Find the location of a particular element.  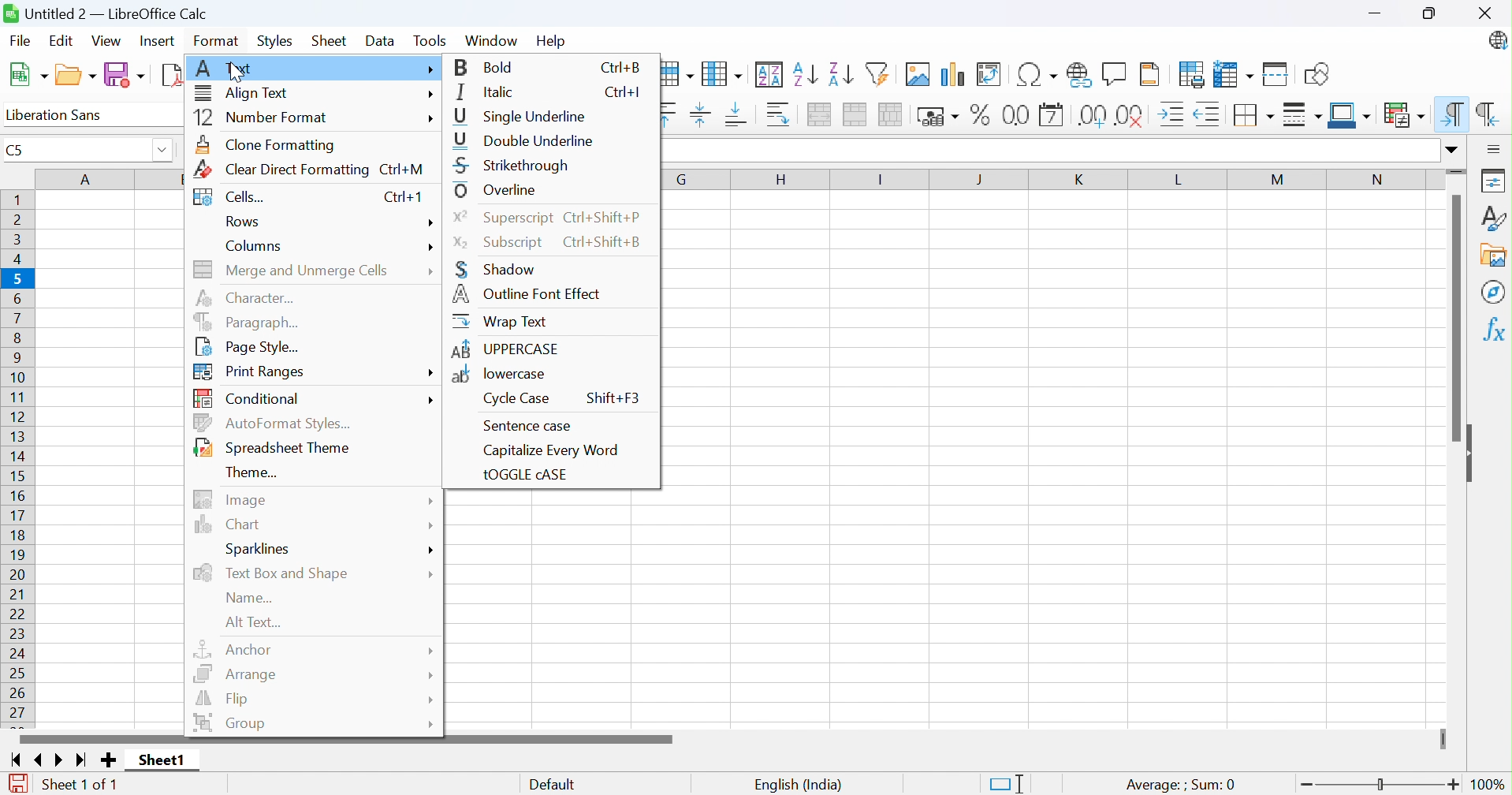

Slider is located at coordinates (1383, 784).